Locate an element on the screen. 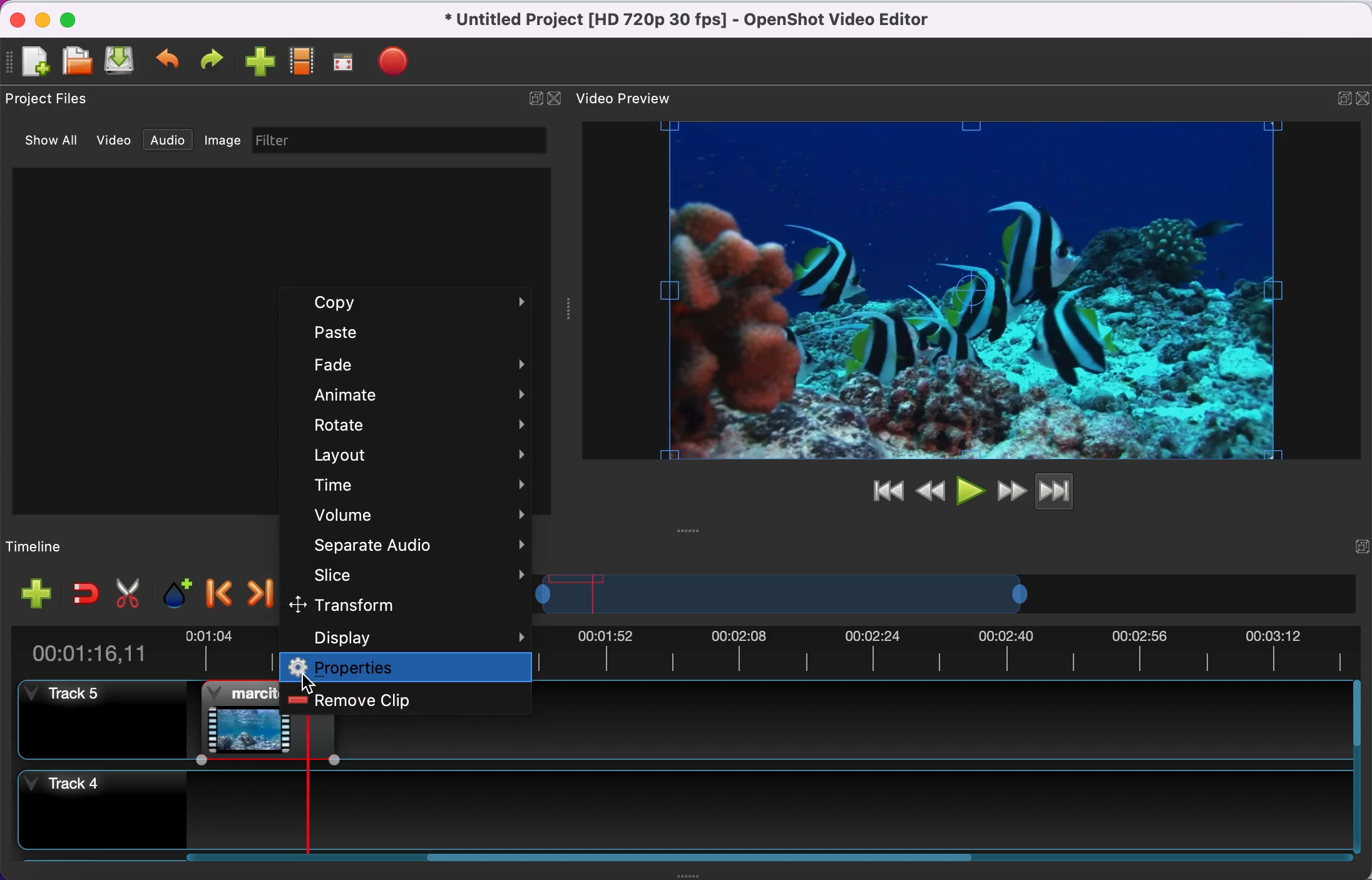  close is located at coordinates (14, 18).